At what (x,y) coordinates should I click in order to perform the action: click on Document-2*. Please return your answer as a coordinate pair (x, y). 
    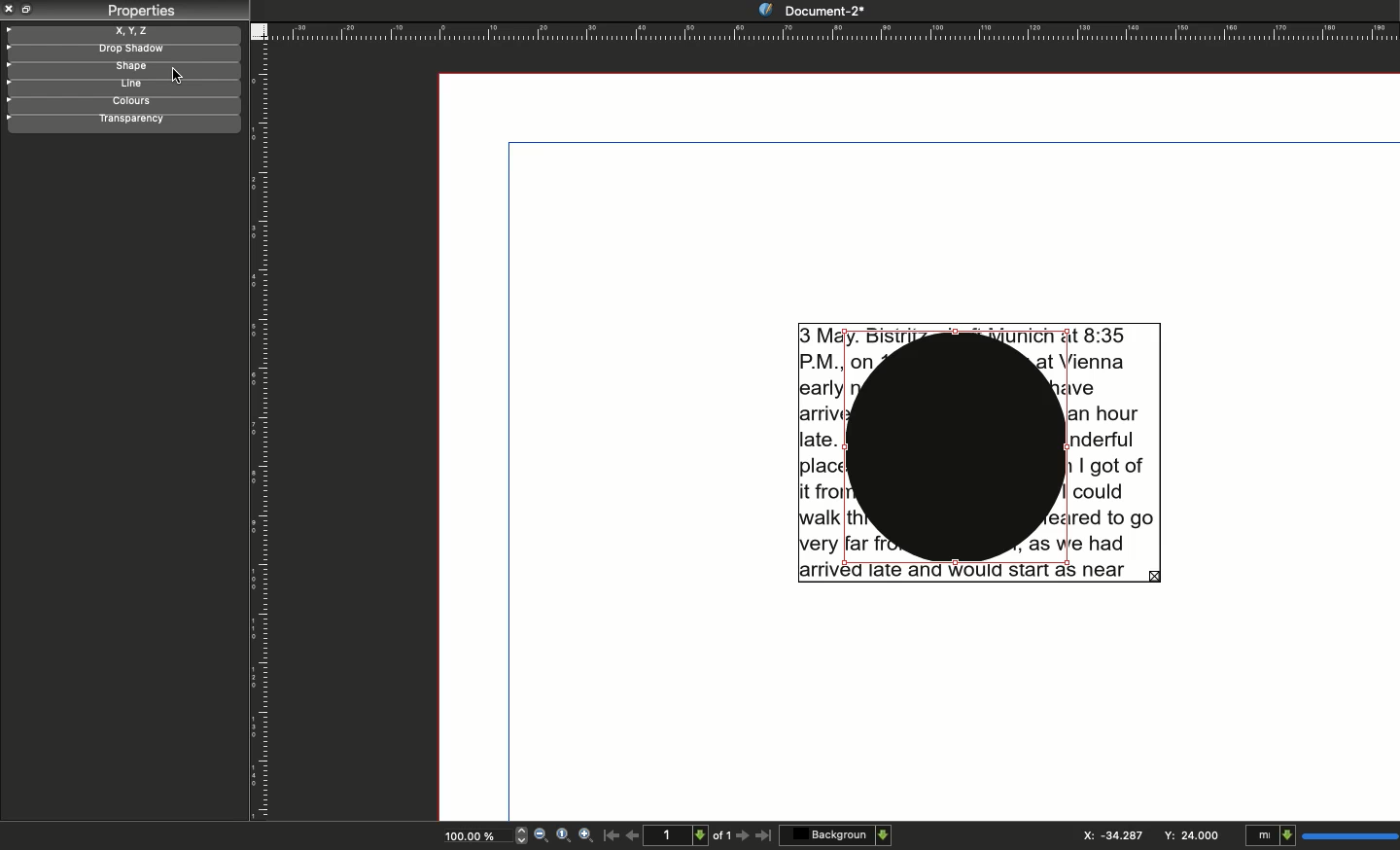
    Looking at the image, I should click on (811, 10).